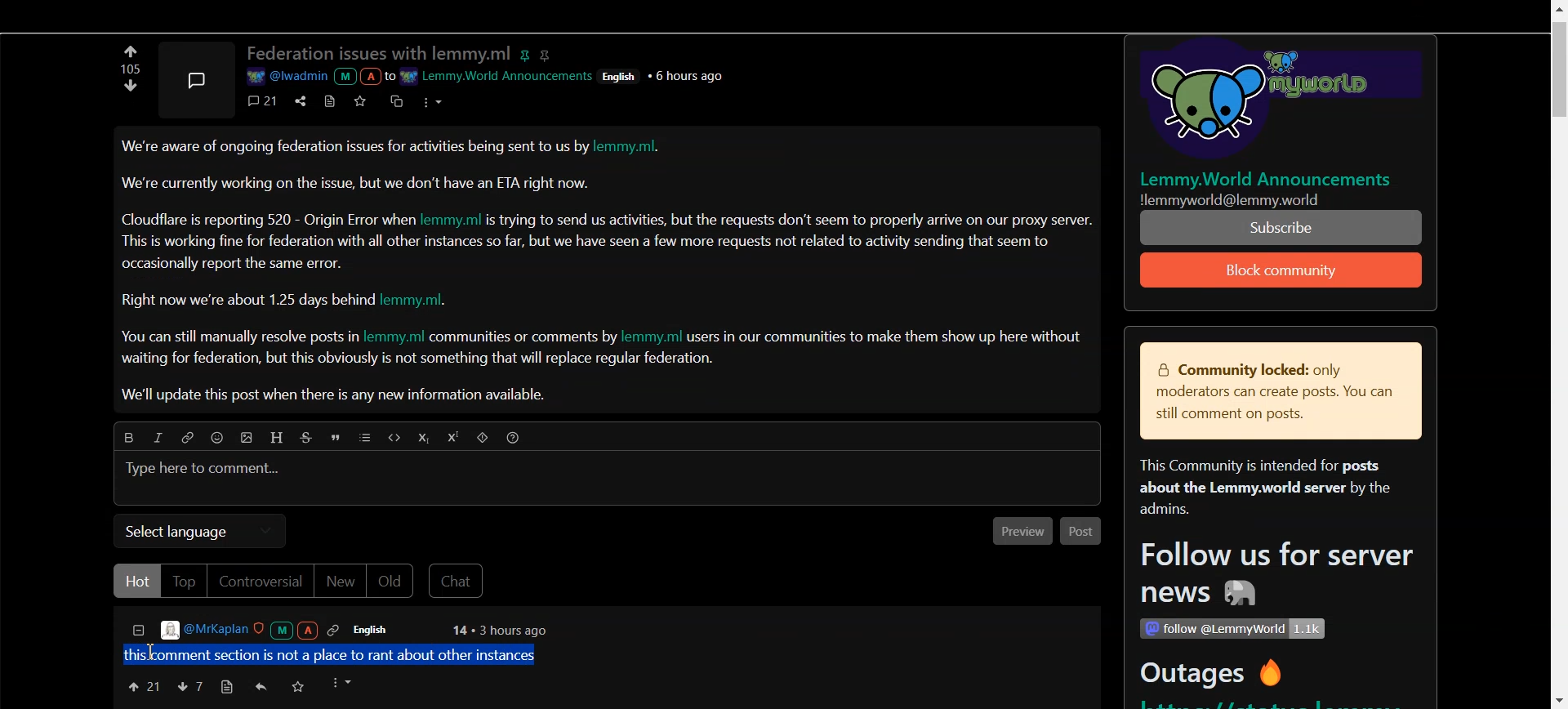  I want to click on Subscribe, so click(1282, 270).